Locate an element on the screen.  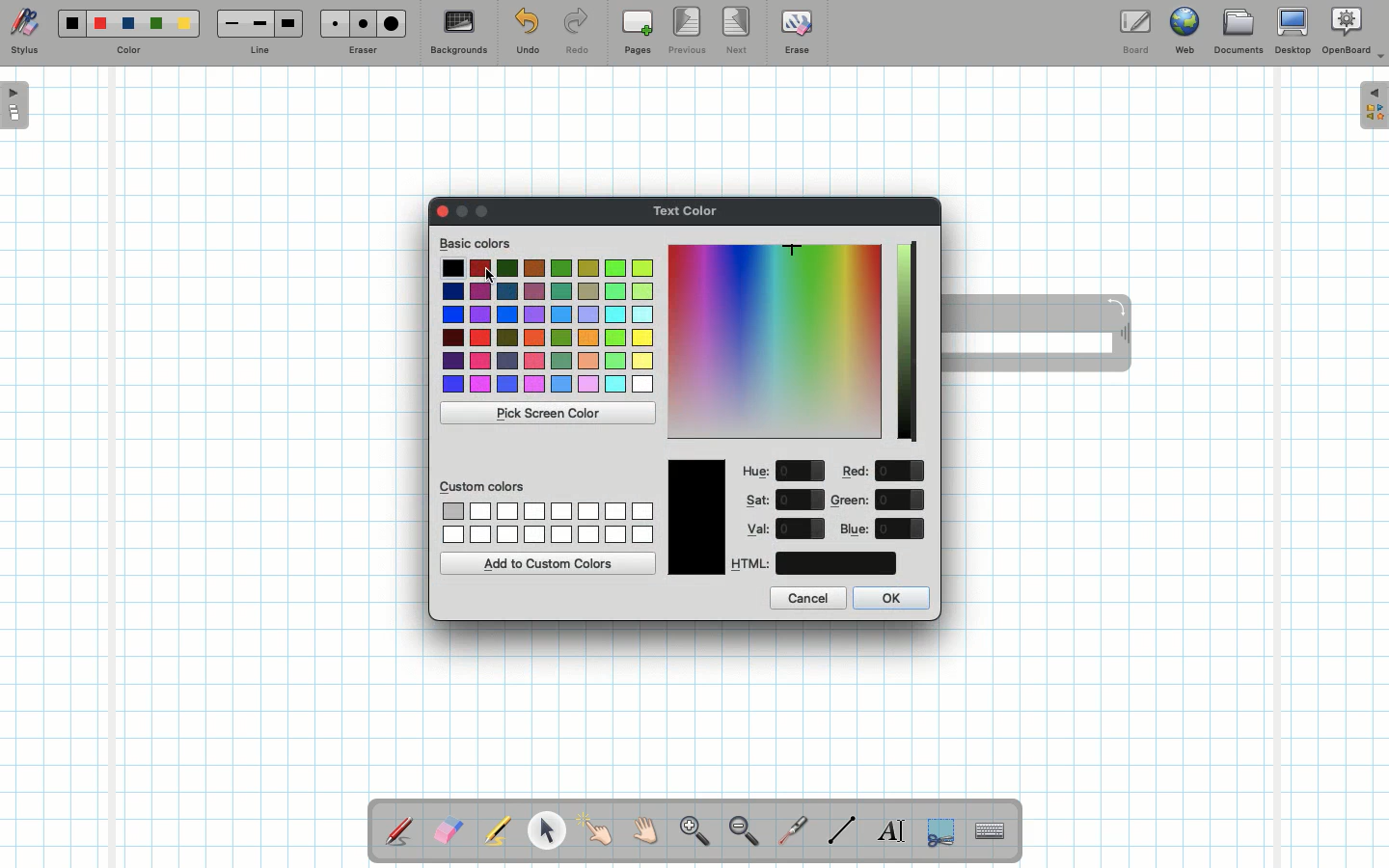
Large line is located at coordinates (289, 23).